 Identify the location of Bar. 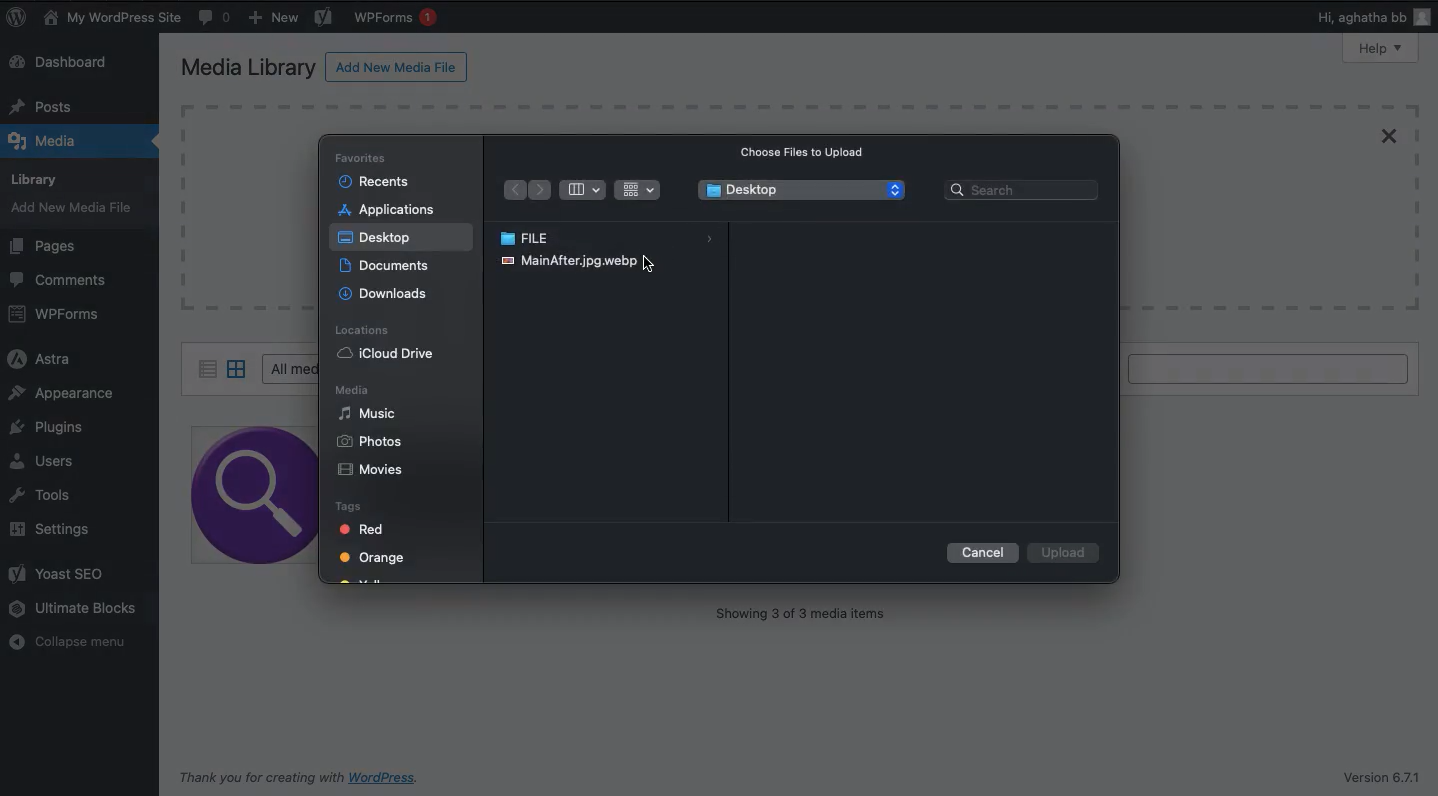
(585, 189).